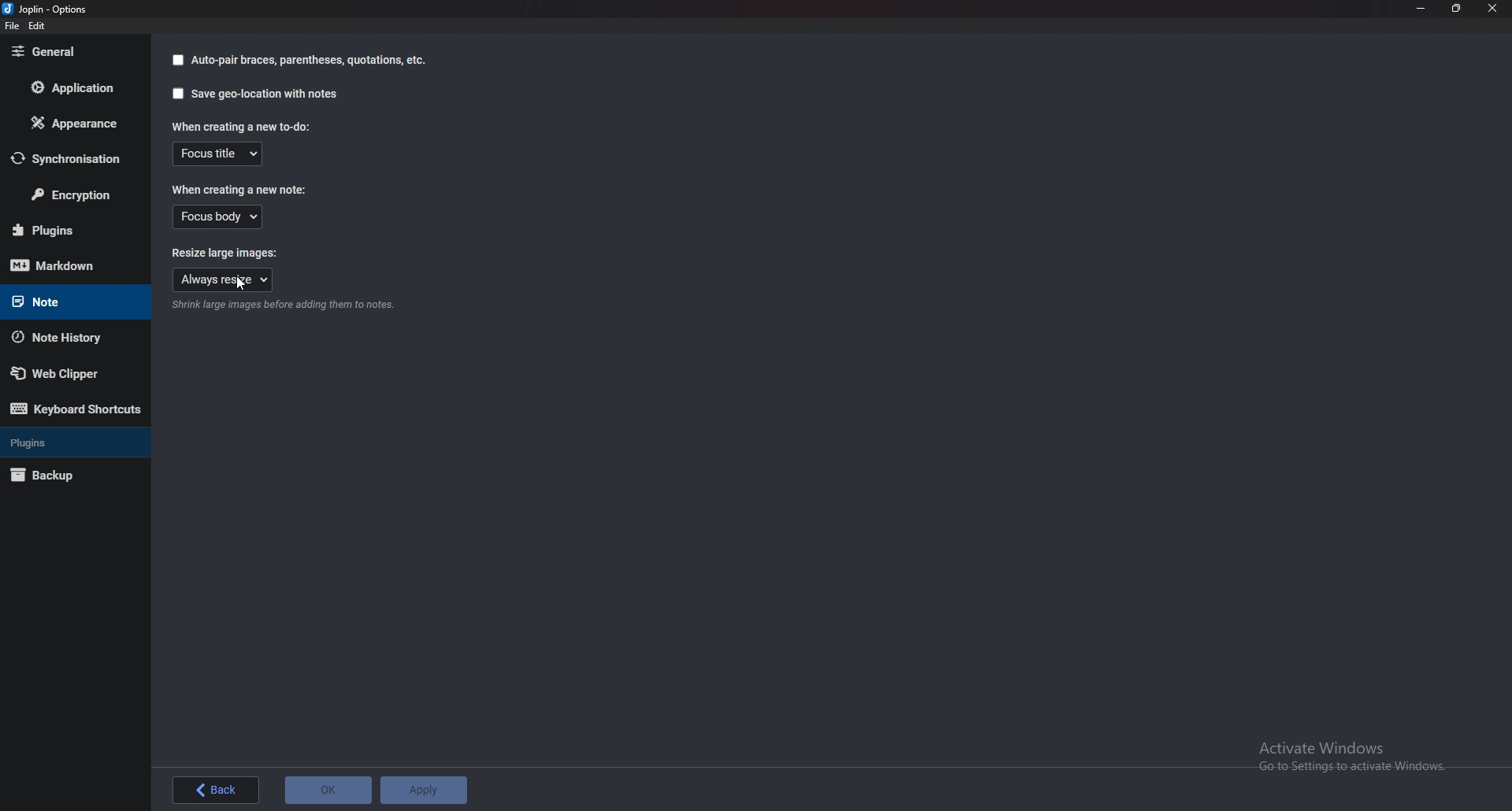 The image size is (1512, 811). What do you see at coordinates (310, 62) in the screenshot?
I see `auto pair braces parenthesis quotation etc` at bounding box center [310, 62].